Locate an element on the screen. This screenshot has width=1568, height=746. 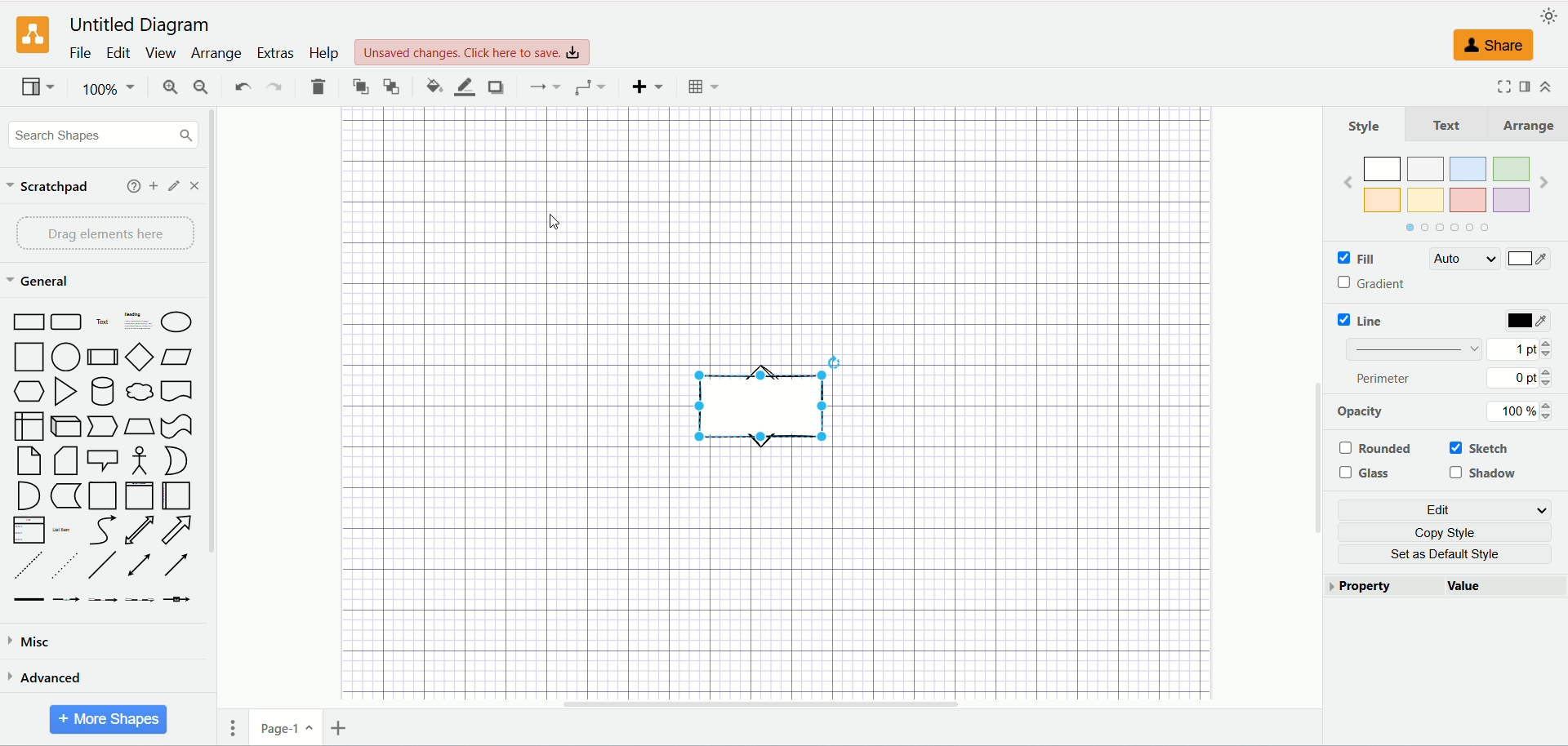
file is located at coordinates (78, 53).